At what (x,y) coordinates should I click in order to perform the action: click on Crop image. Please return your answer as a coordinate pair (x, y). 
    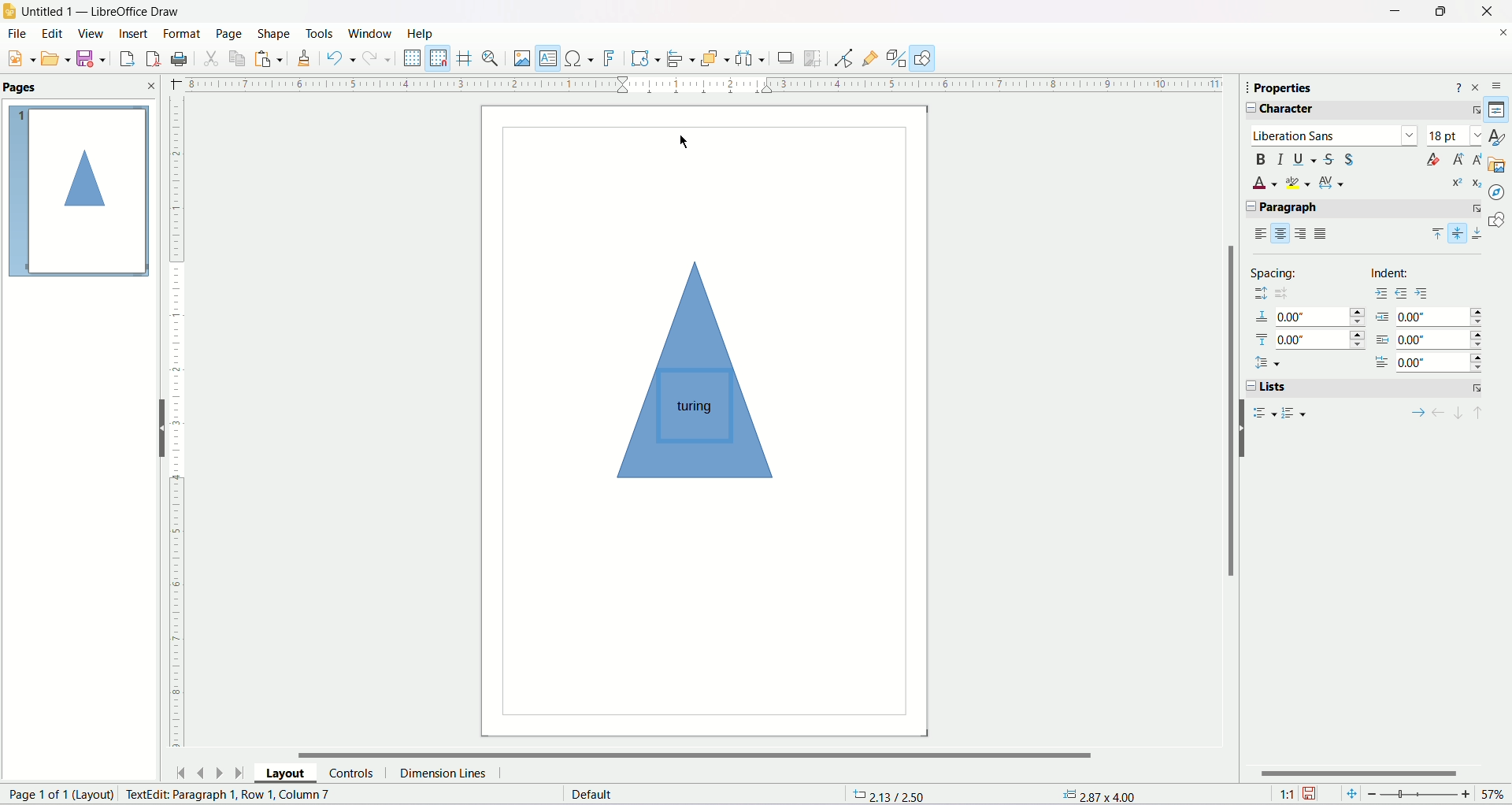
    Looking at the image, I should click on (813, 58).